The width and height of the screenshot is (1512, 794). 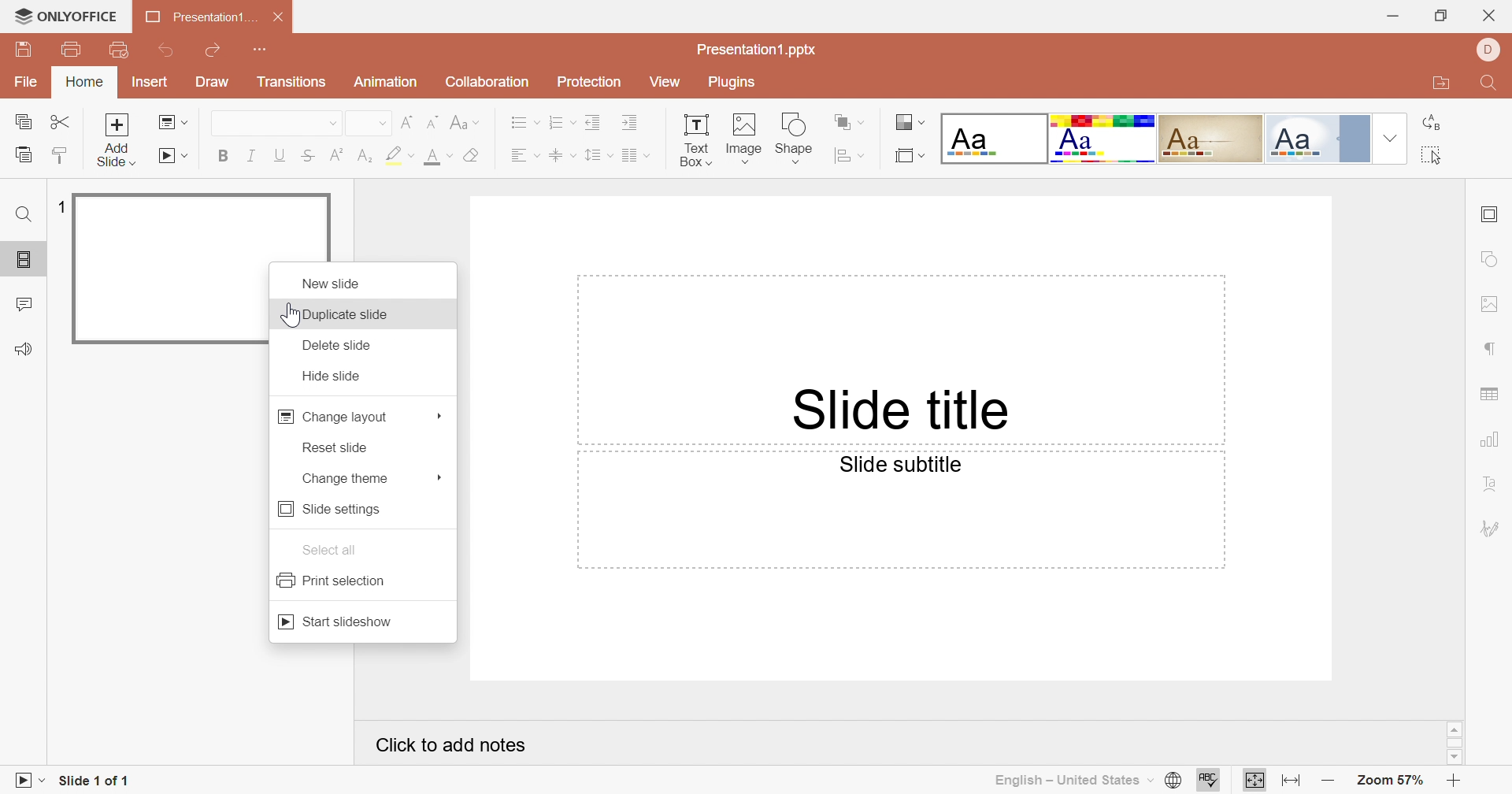 I want to click on Start Slideshow, so click(x=163, y=158).